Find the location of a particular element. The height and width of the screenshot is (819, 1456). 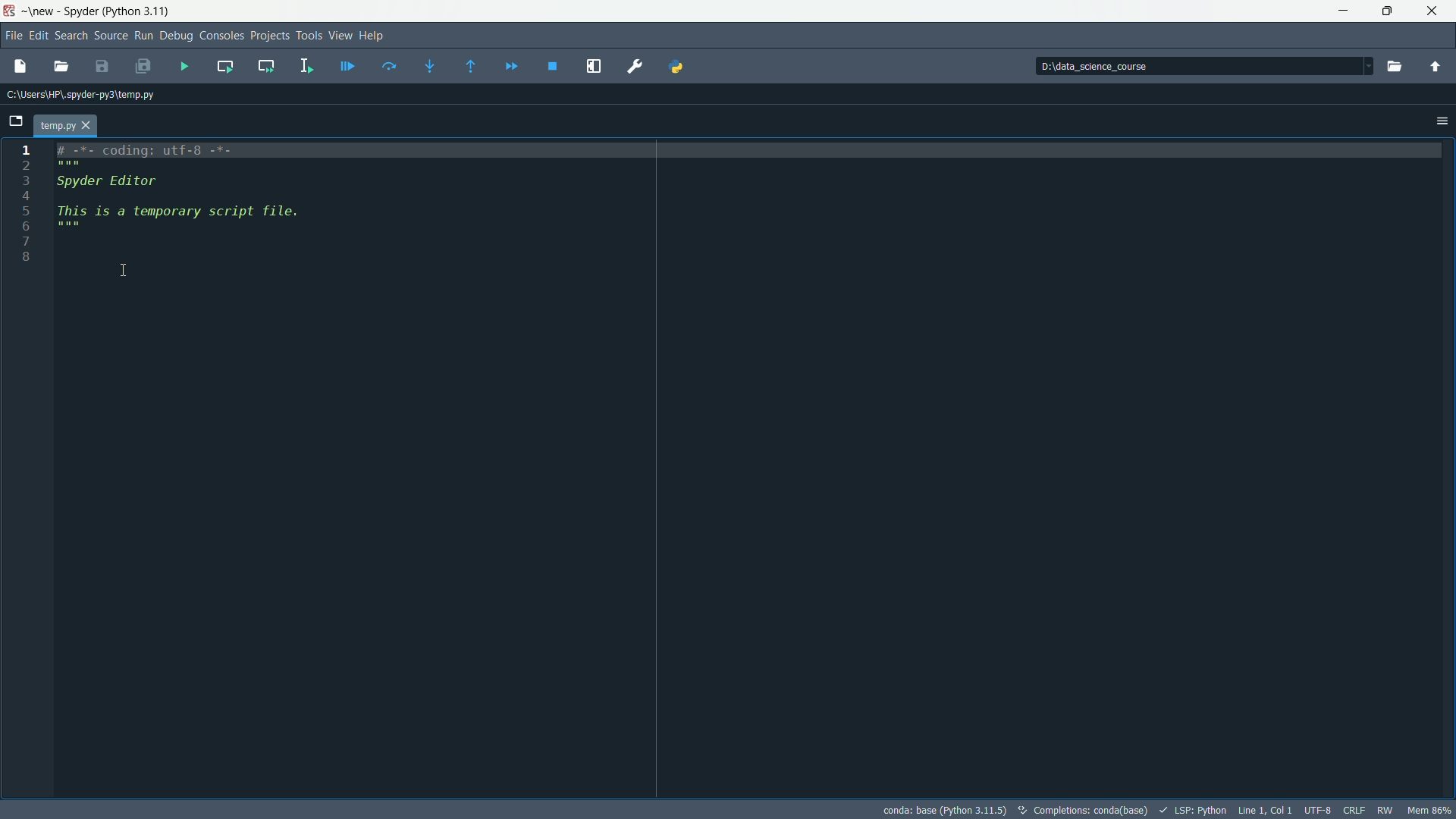

browse a working directory is located at coordinates (1394, 65).